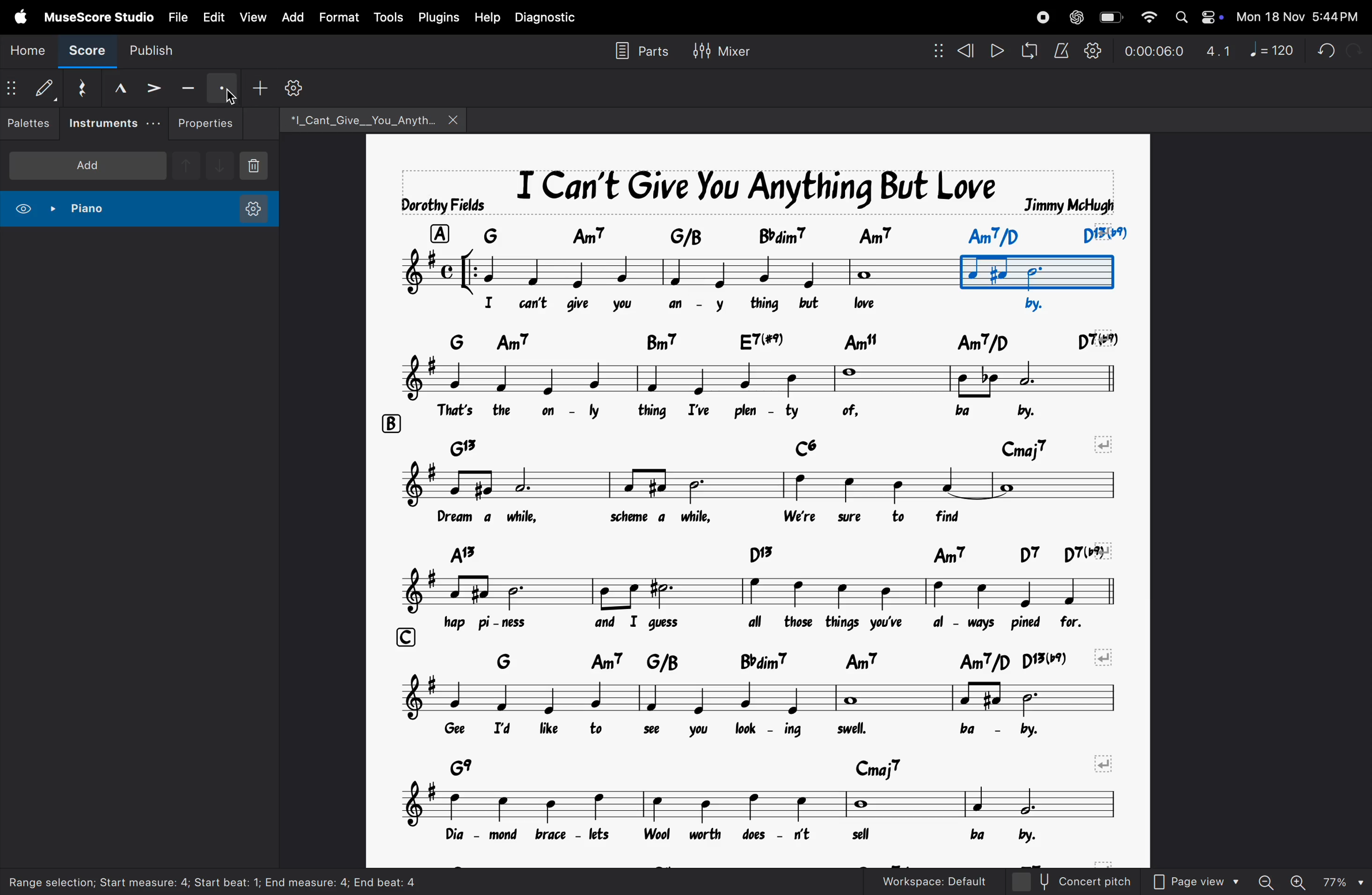  I want to click on bounded box, so click(1036, 272).